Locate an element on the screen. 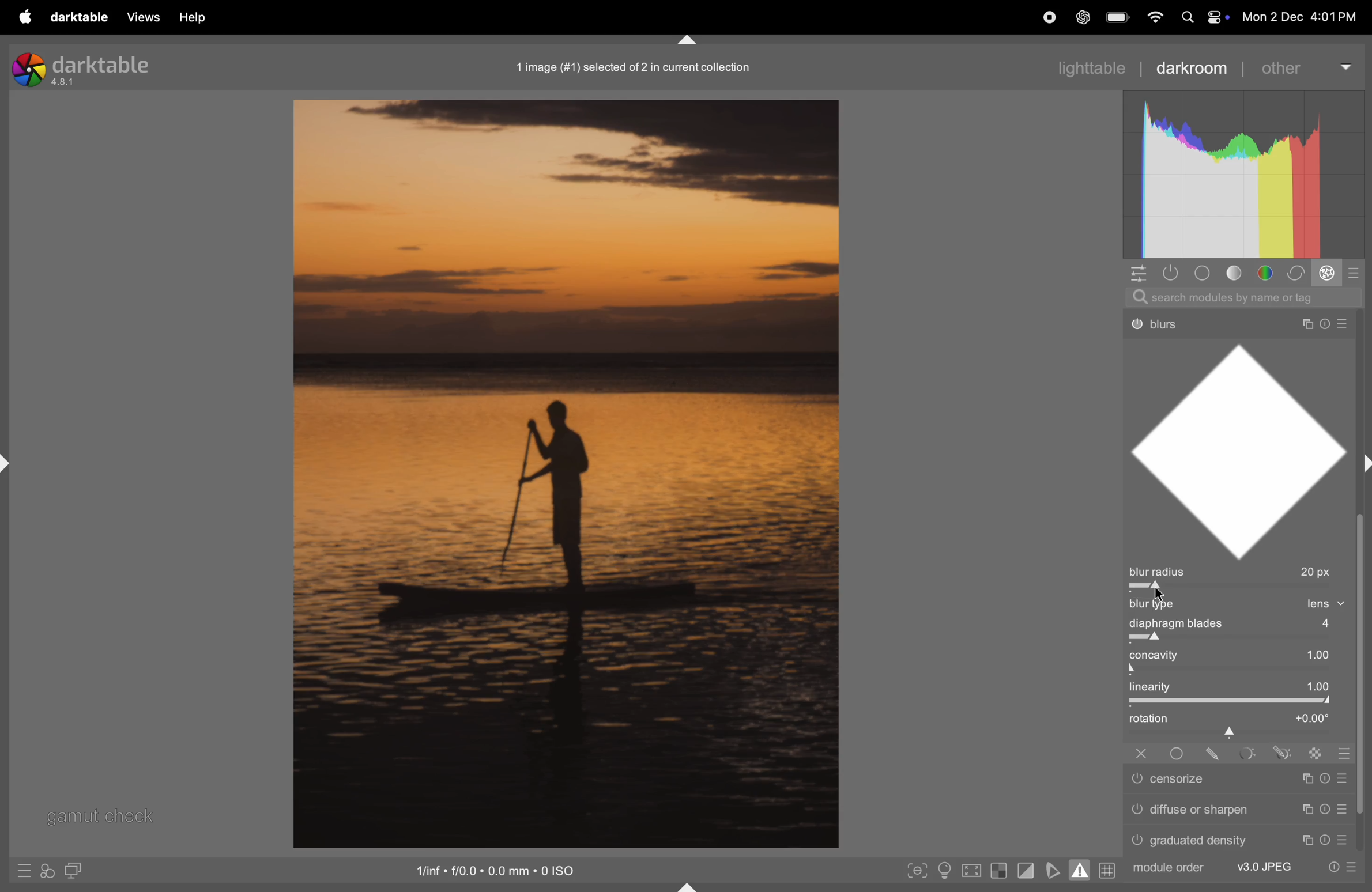  help is located at coordinates (196, 18).